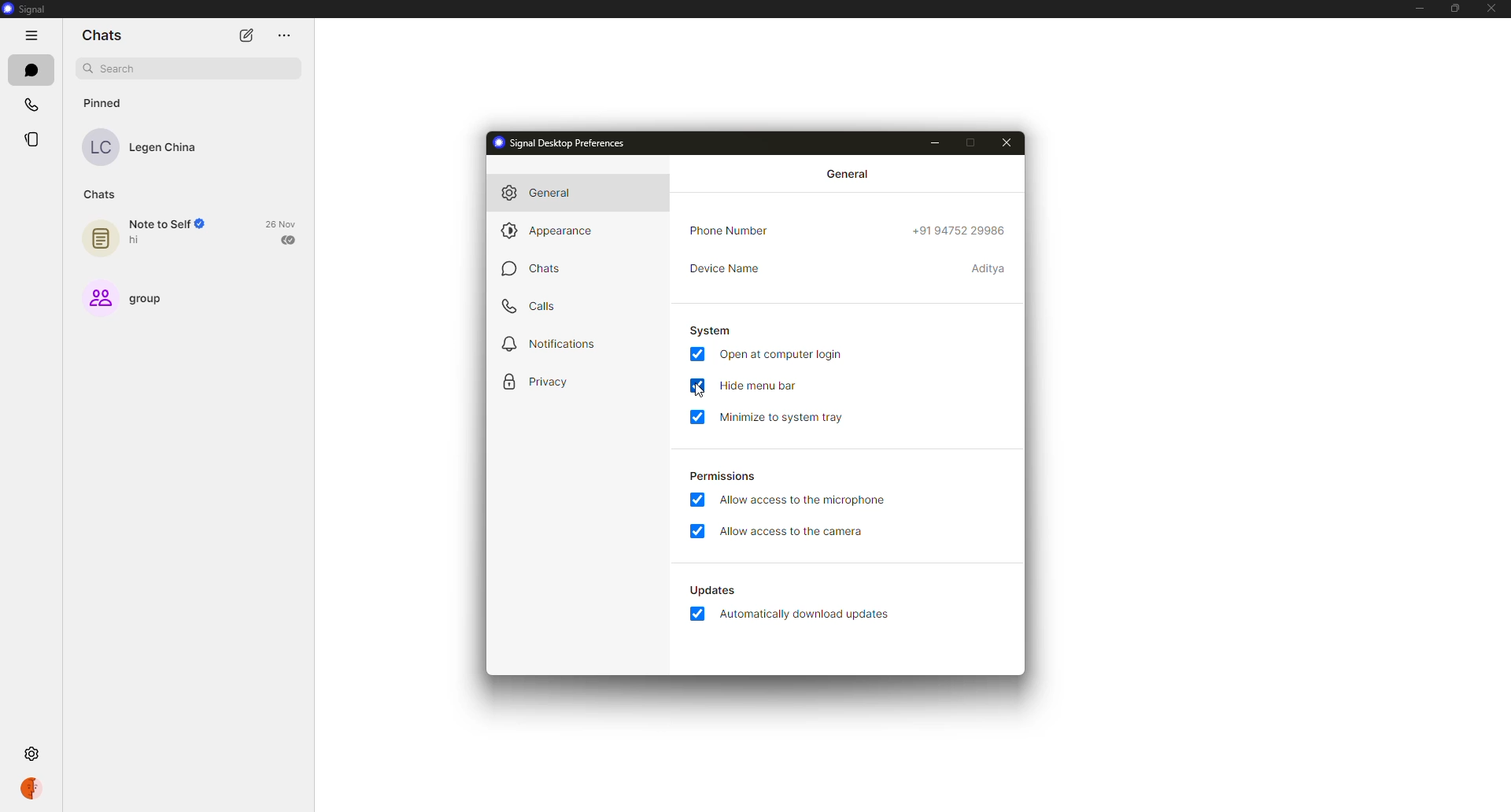 This screenshot has width=1511, height=812. Describe the element at coordinates (531, 268) in the screenshot. I see `chats` at that location.